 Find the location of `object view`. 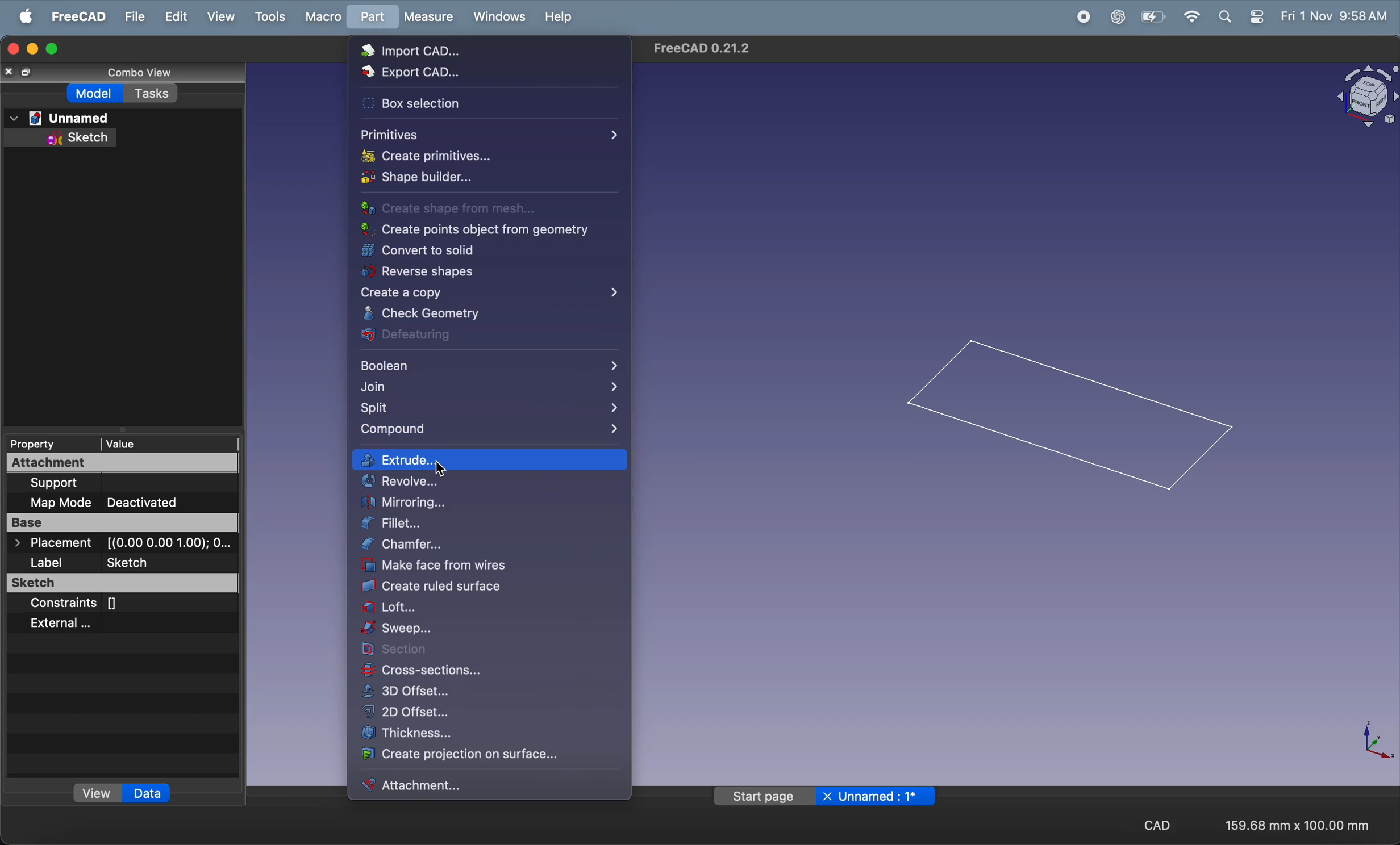

object view is located at coordinates (1357, 97).